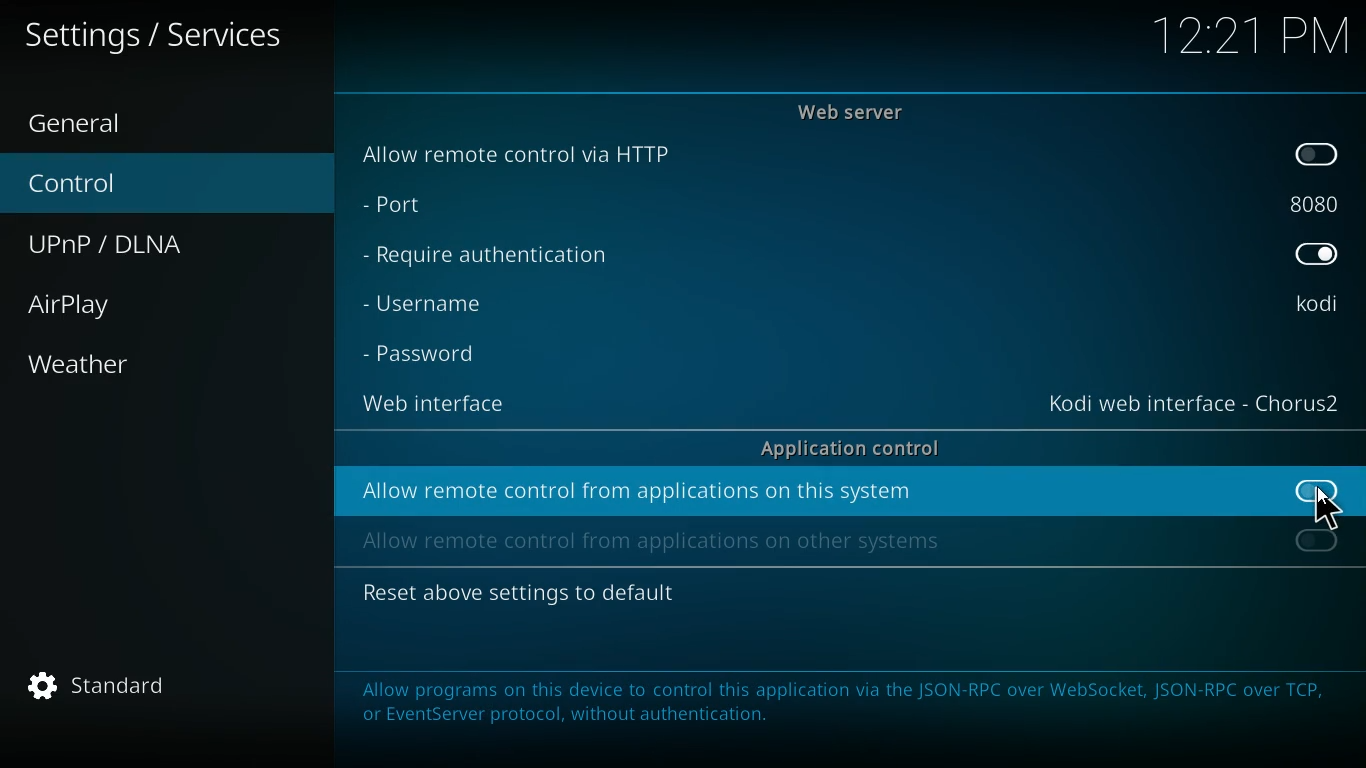 The width and height of the screenshot is (1366, 768). I want to click on time, so click(1251, 33).